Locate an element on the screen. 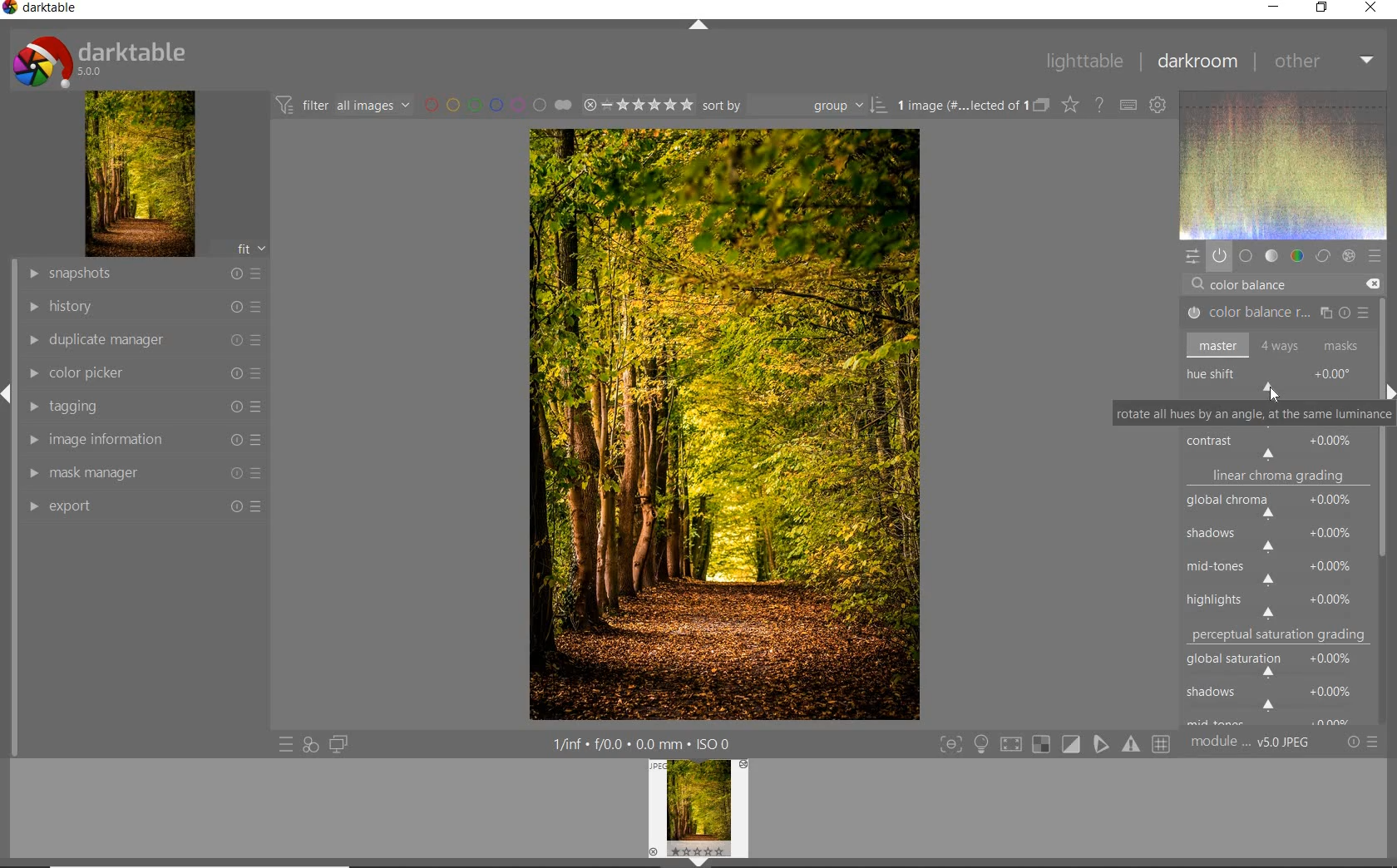 The height and width of the screenshot is (868, 1397). base is located at coordinates (1246, 256).